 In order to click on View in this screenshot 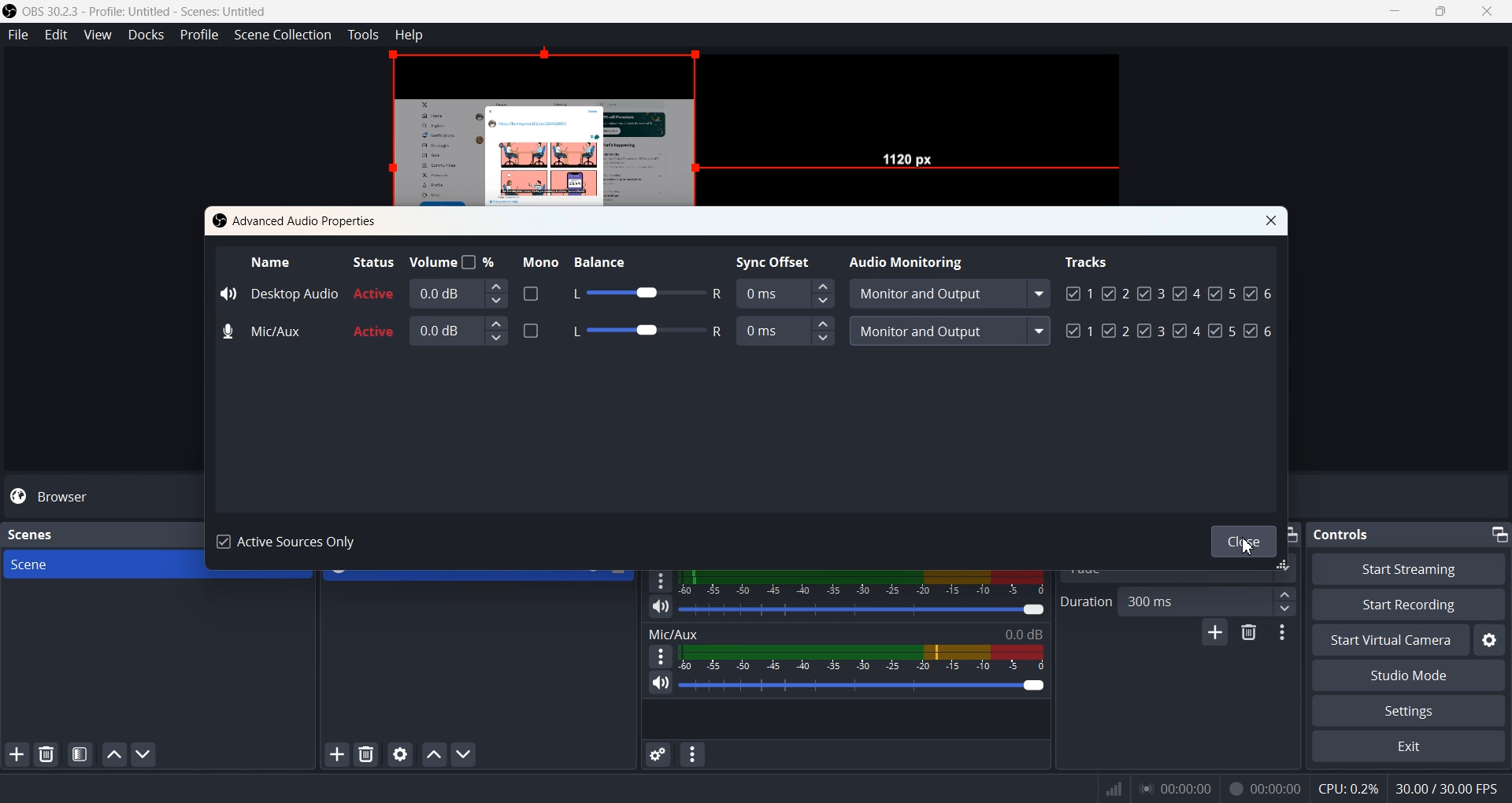, I will do `click(98, 35)`.